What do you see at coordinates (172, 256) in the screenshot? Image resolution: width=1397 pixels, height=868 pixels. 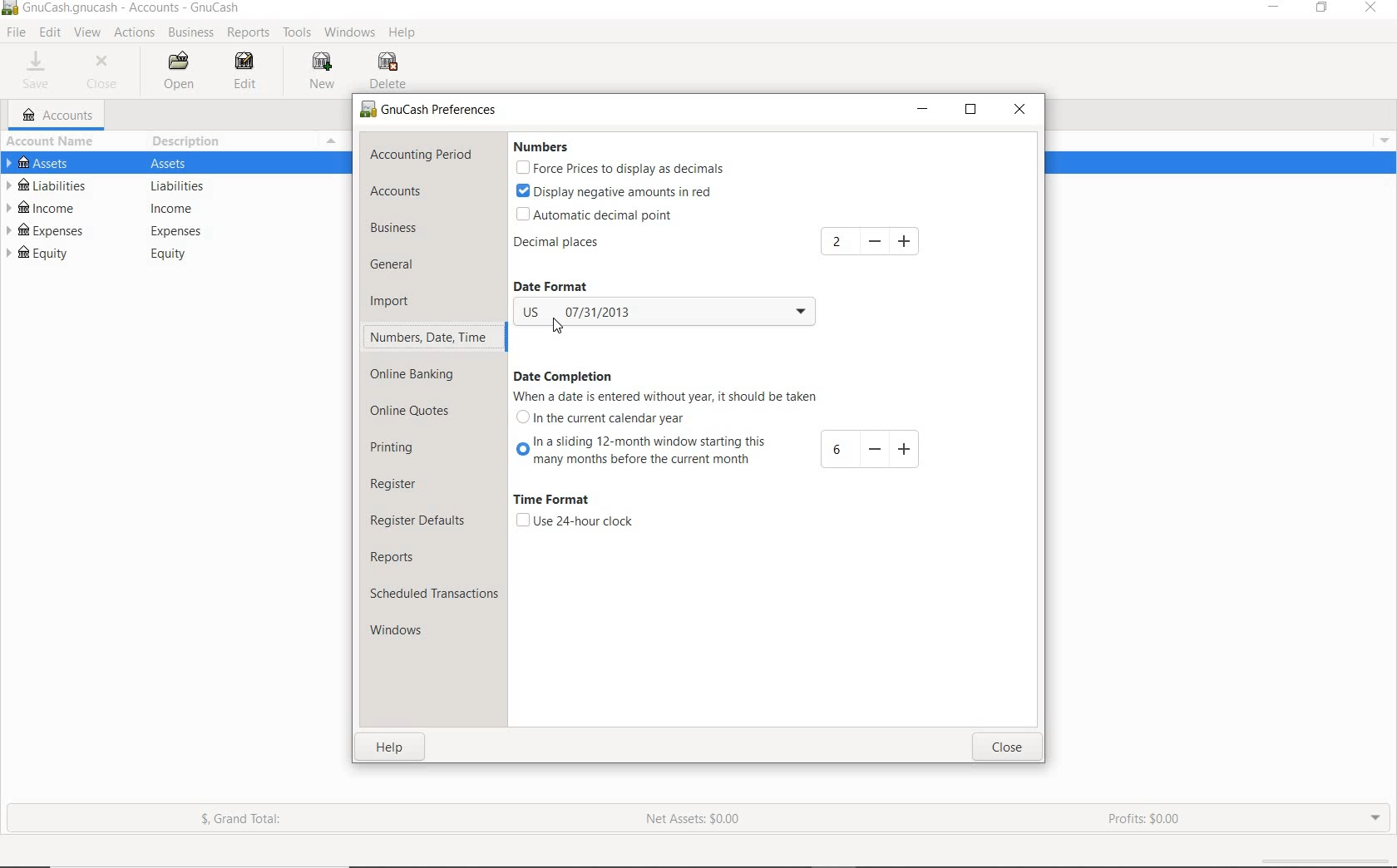 I see `EQUITY` at bounding box center [172, 256].